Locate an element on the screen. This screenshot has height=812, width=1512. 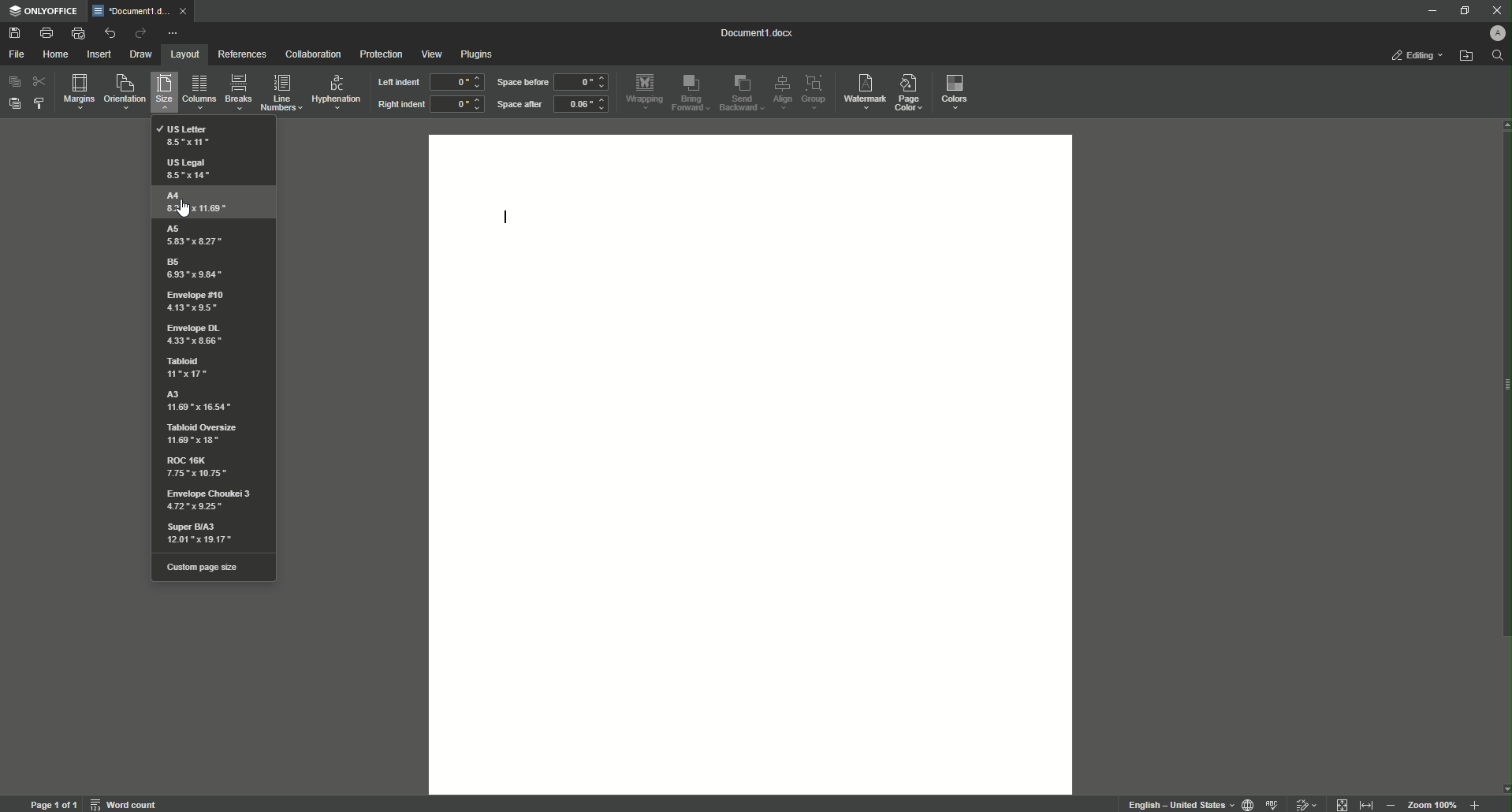
Restore is located at coordinates (1462, 10).